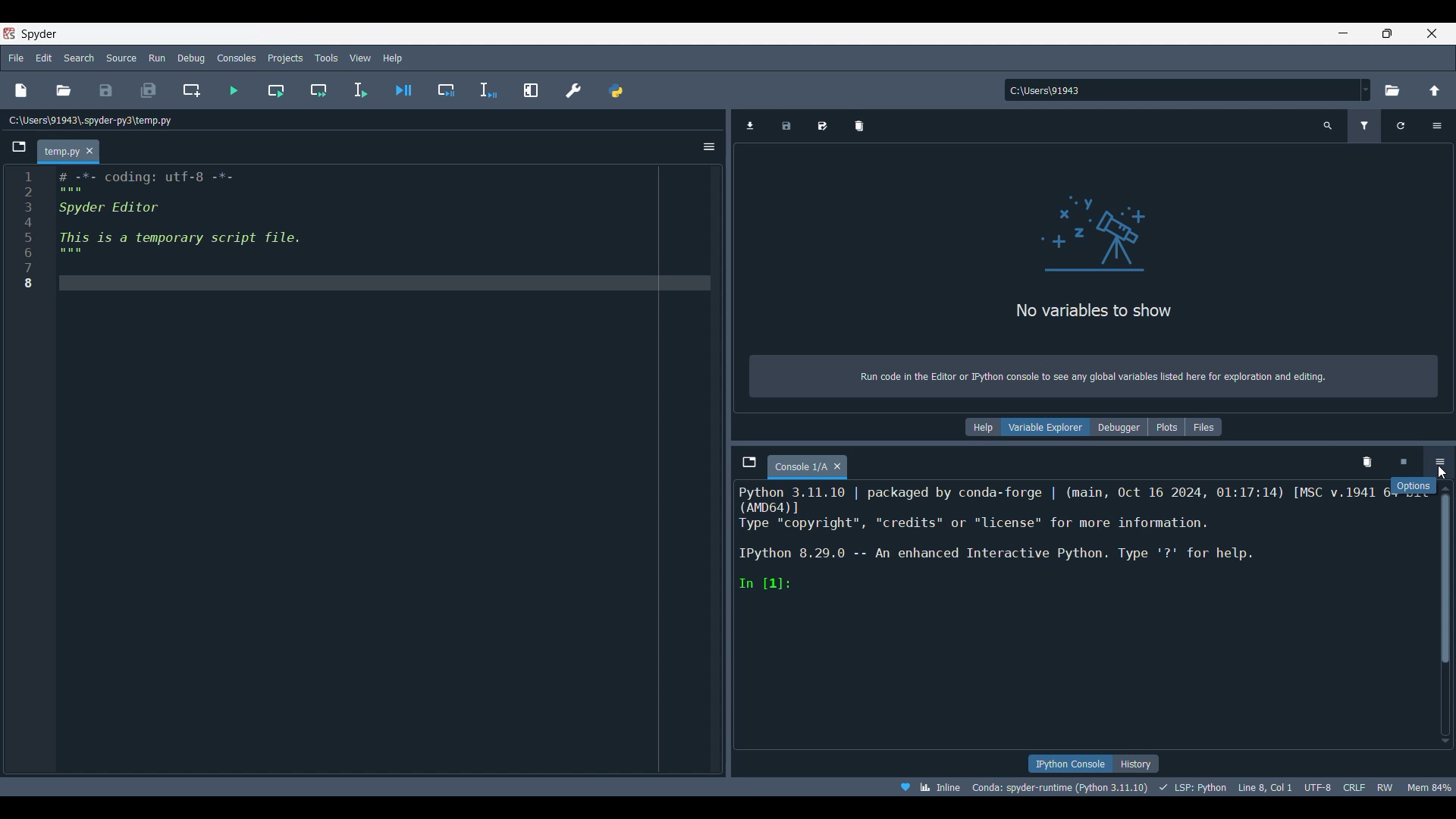  I want to click on PYTHONPATH manager, so click(616, 90).